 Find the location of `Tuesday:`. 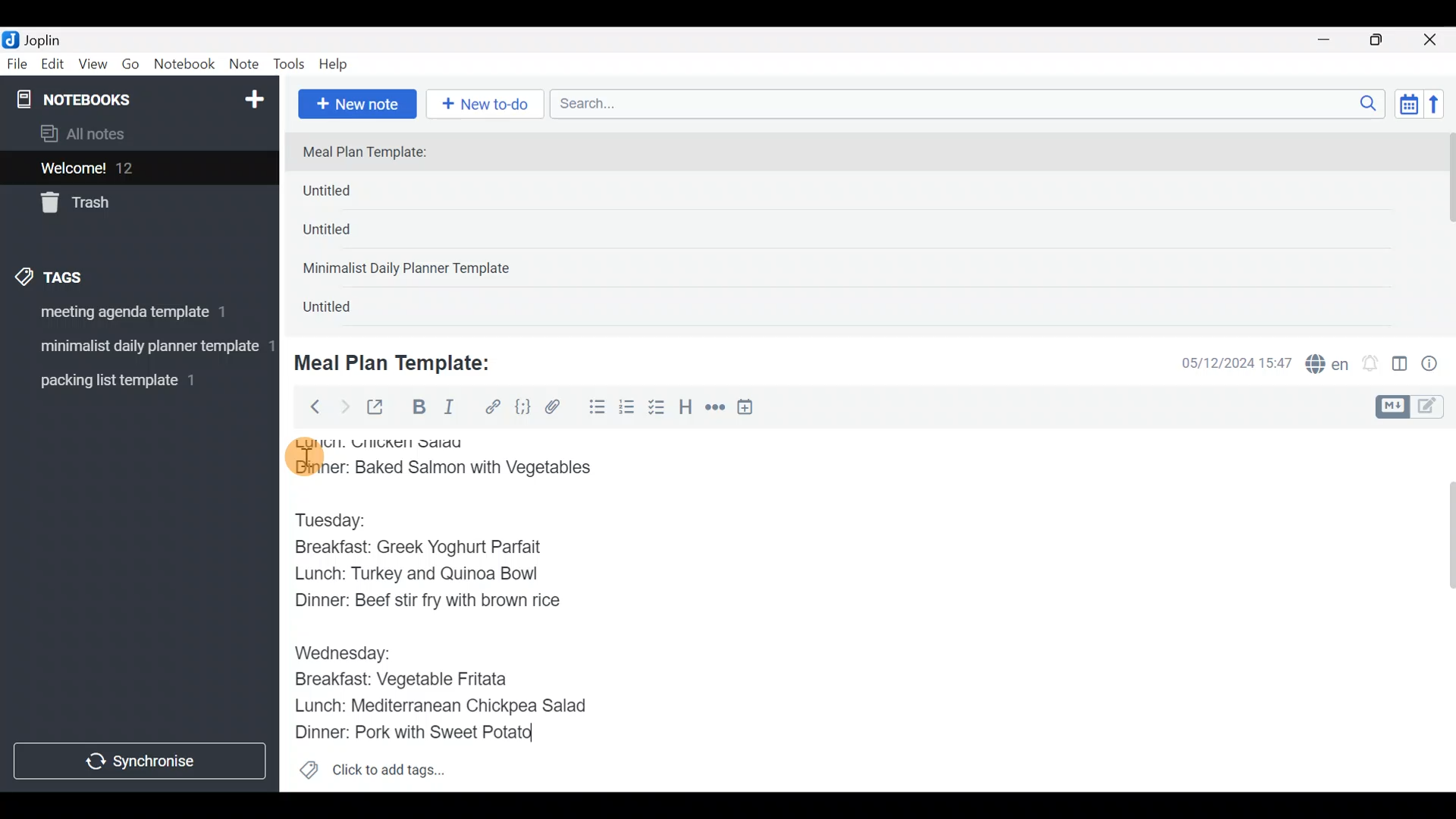

Tuesday: is located at coordinates (340, 519).